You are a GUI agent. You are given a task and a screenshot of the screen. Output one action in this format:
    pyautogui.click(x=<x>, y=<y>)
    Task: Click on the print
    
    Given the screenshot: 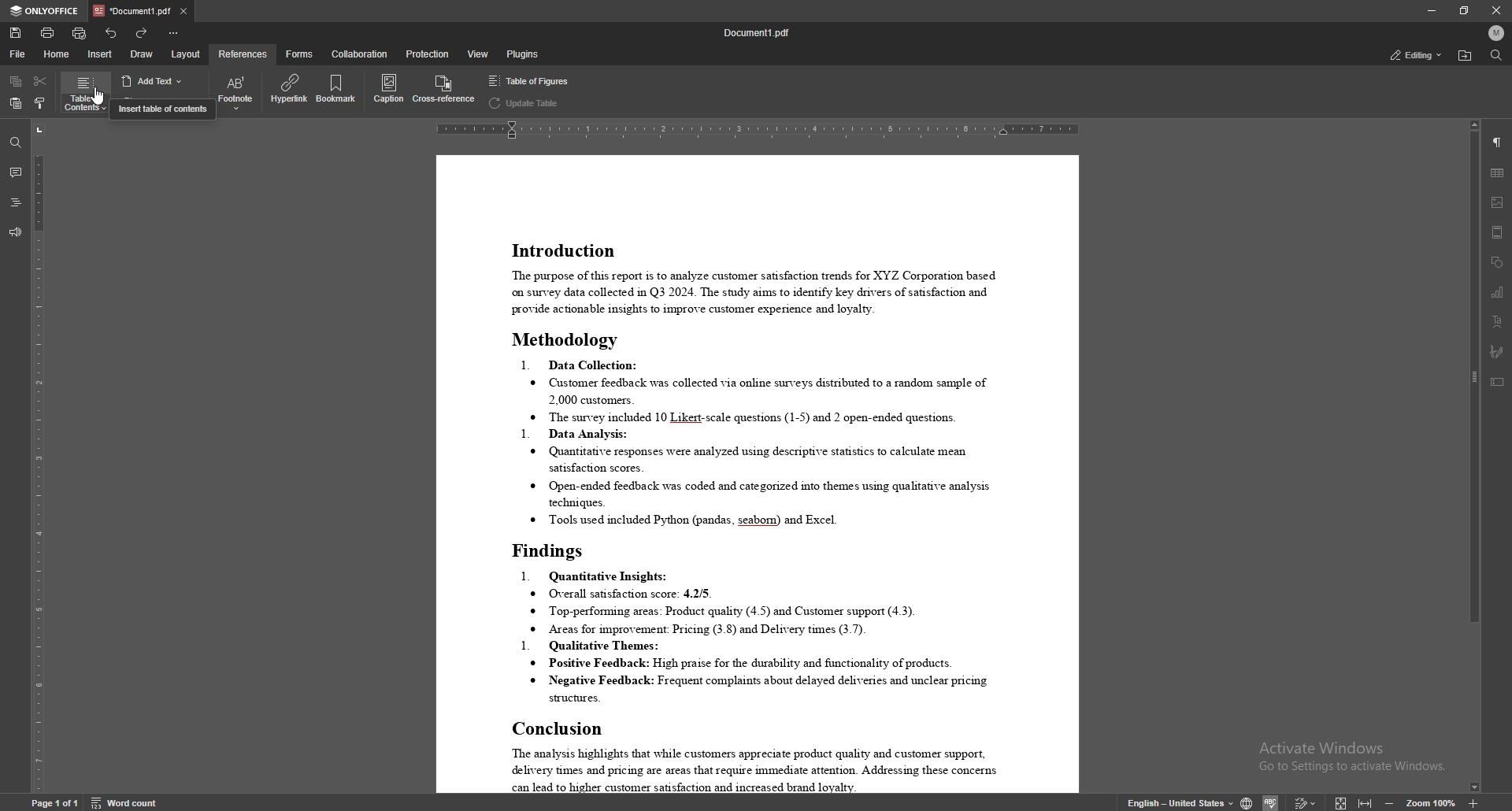 What is the action you would take?
    pyautogui.click(x=48, y=32)
    